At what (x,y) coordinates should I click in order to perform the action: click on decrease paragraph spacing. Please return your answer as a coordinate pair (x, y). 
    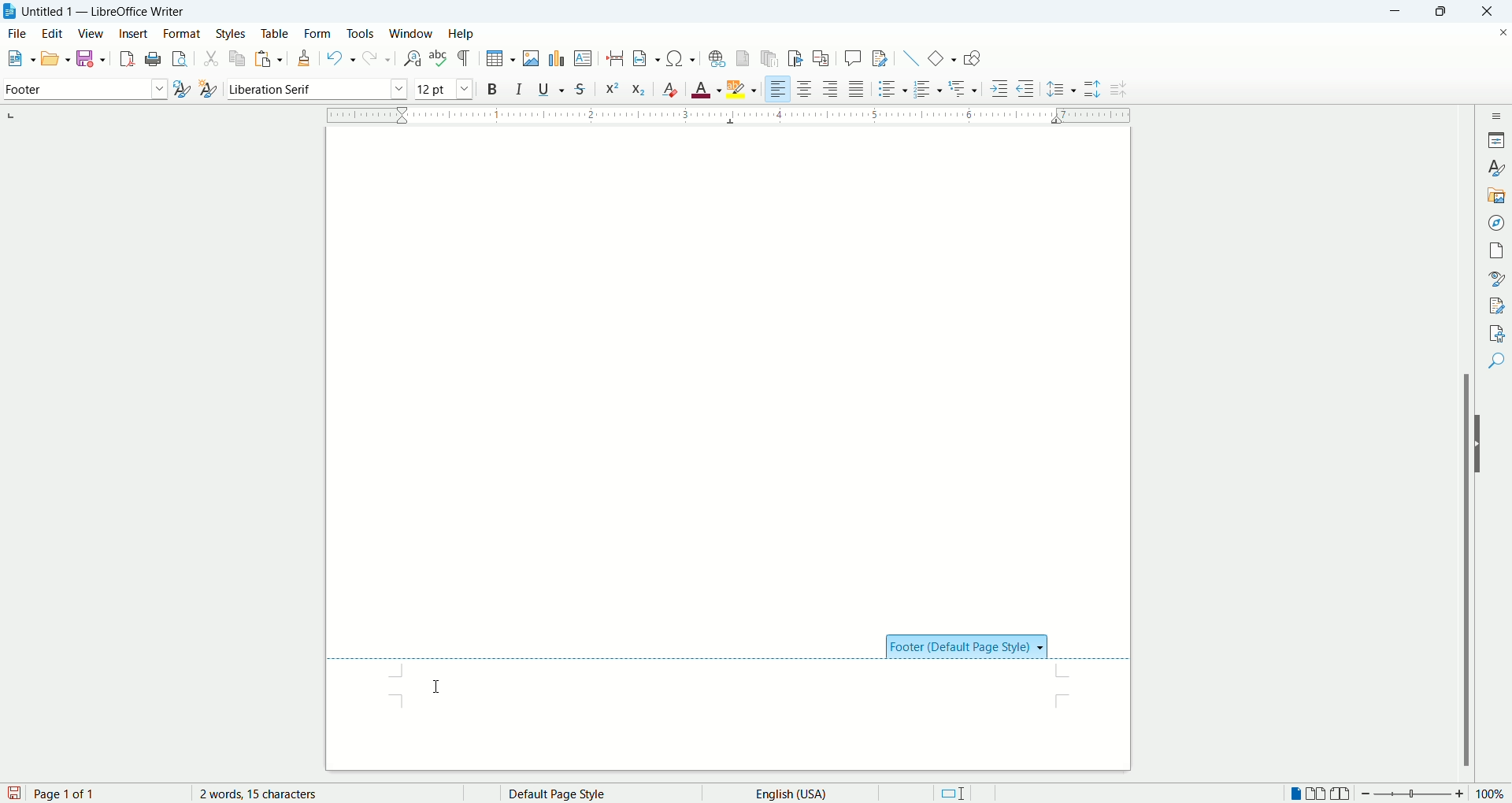
    Looking at the image, I should click on (1118, 90).